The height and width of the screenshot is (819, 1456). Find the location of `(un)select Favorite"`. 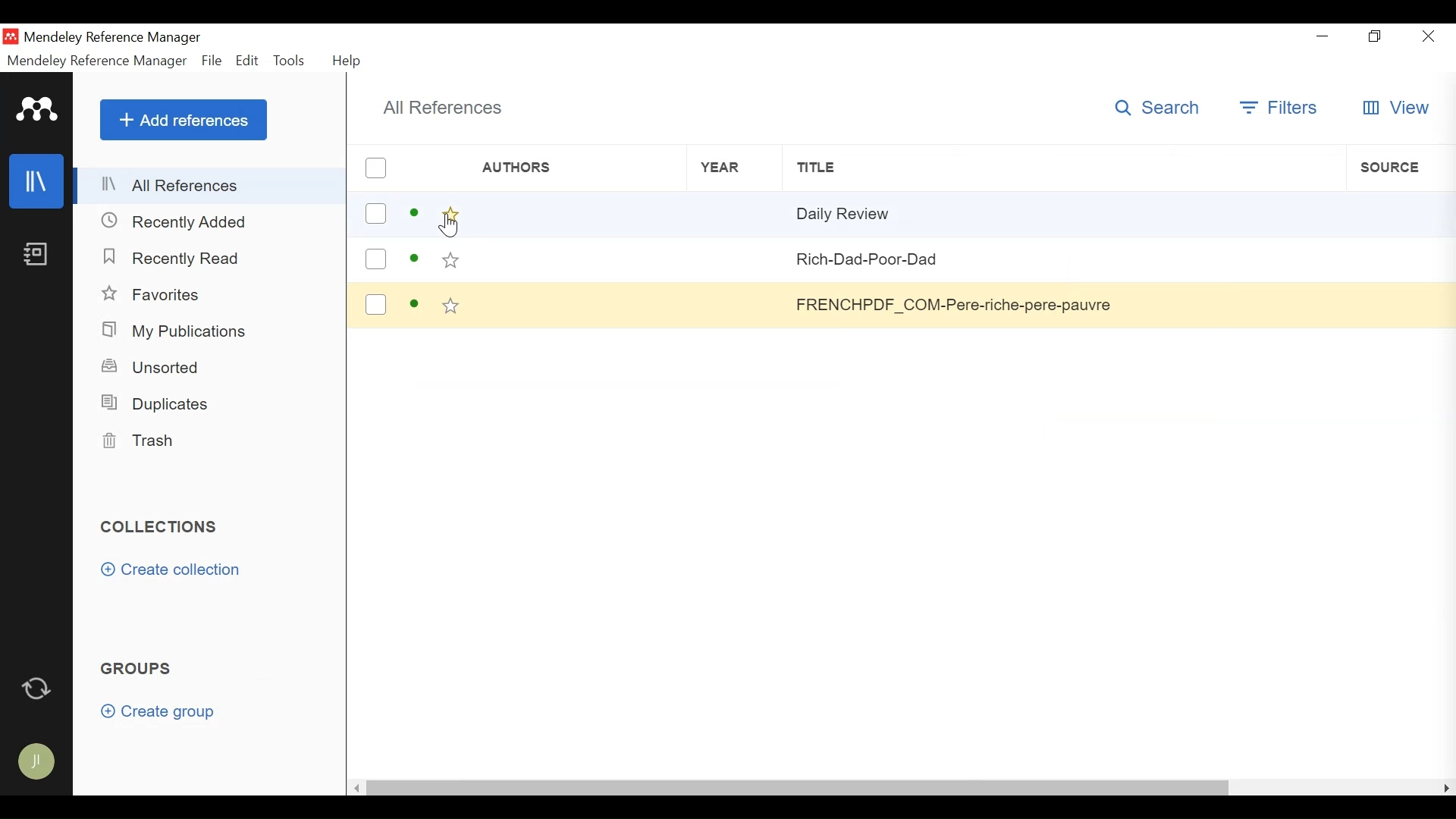

(un)select Favorite" is located at coordinates (451, 258).